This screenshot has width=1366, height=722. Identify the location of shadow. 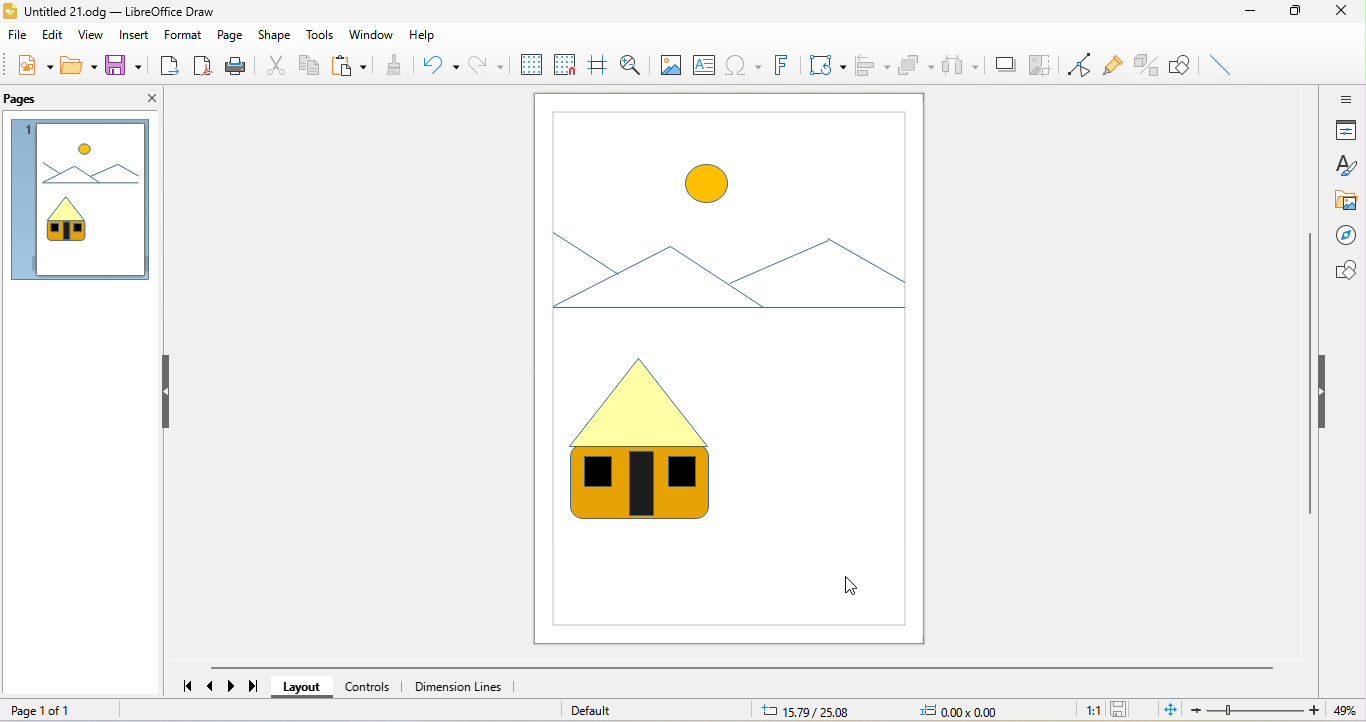
(1005, 65).